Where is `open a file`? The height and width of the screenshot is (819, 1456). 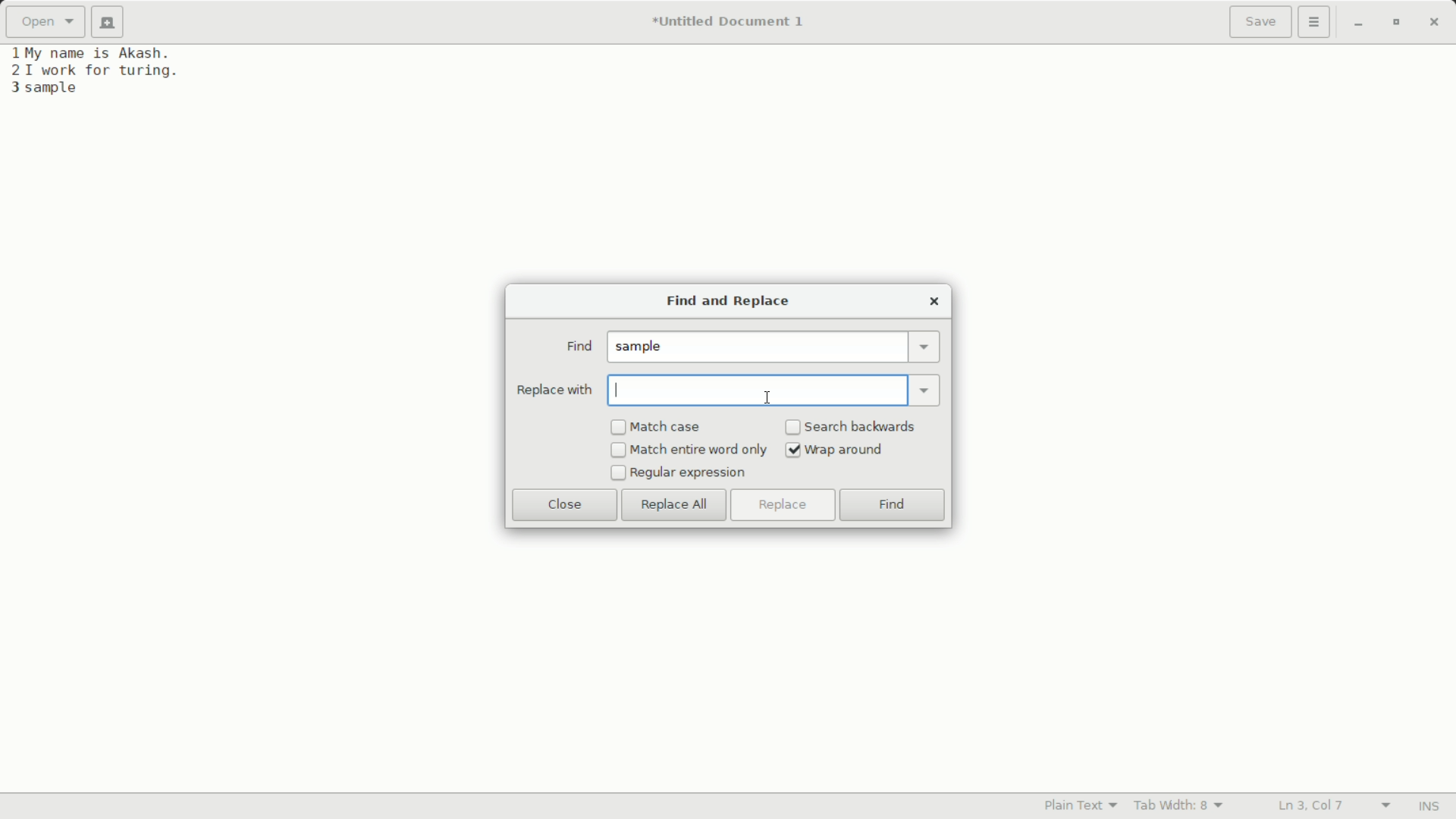
open a file is located at coordinates (45, 22).